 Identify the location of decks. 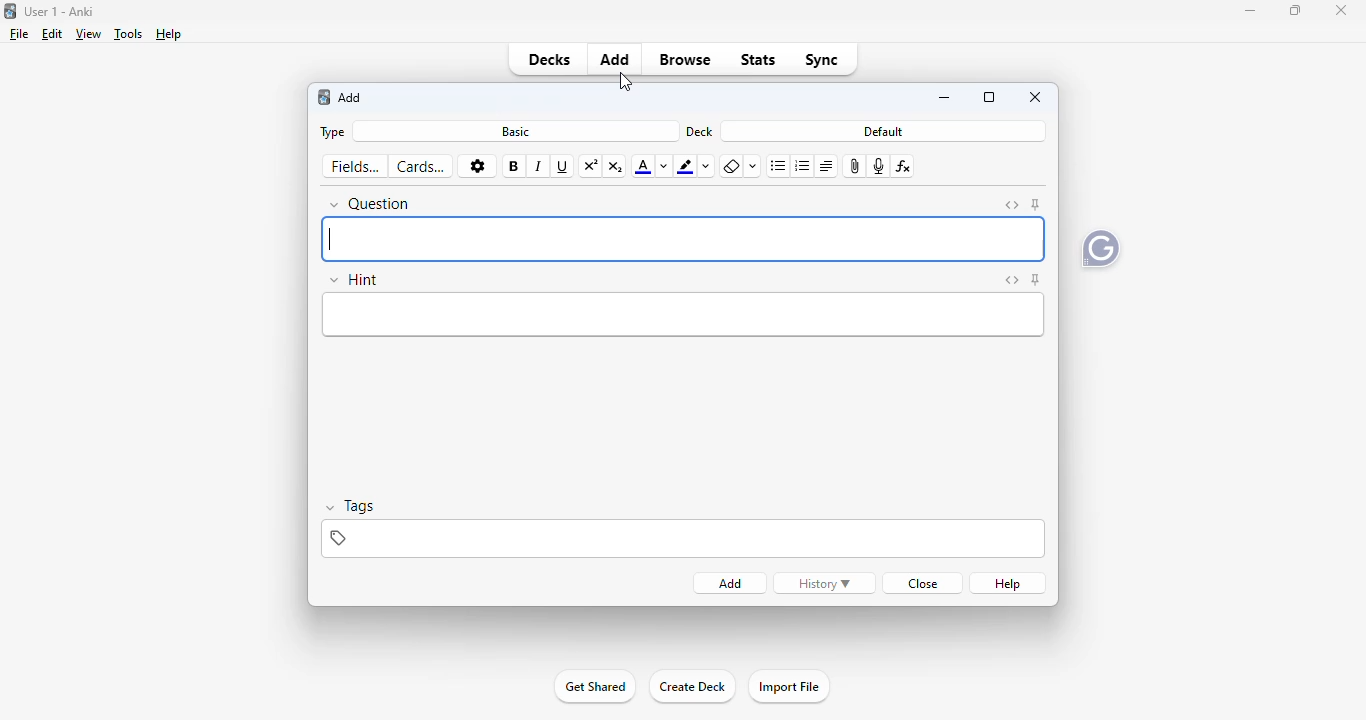
(549, 59).